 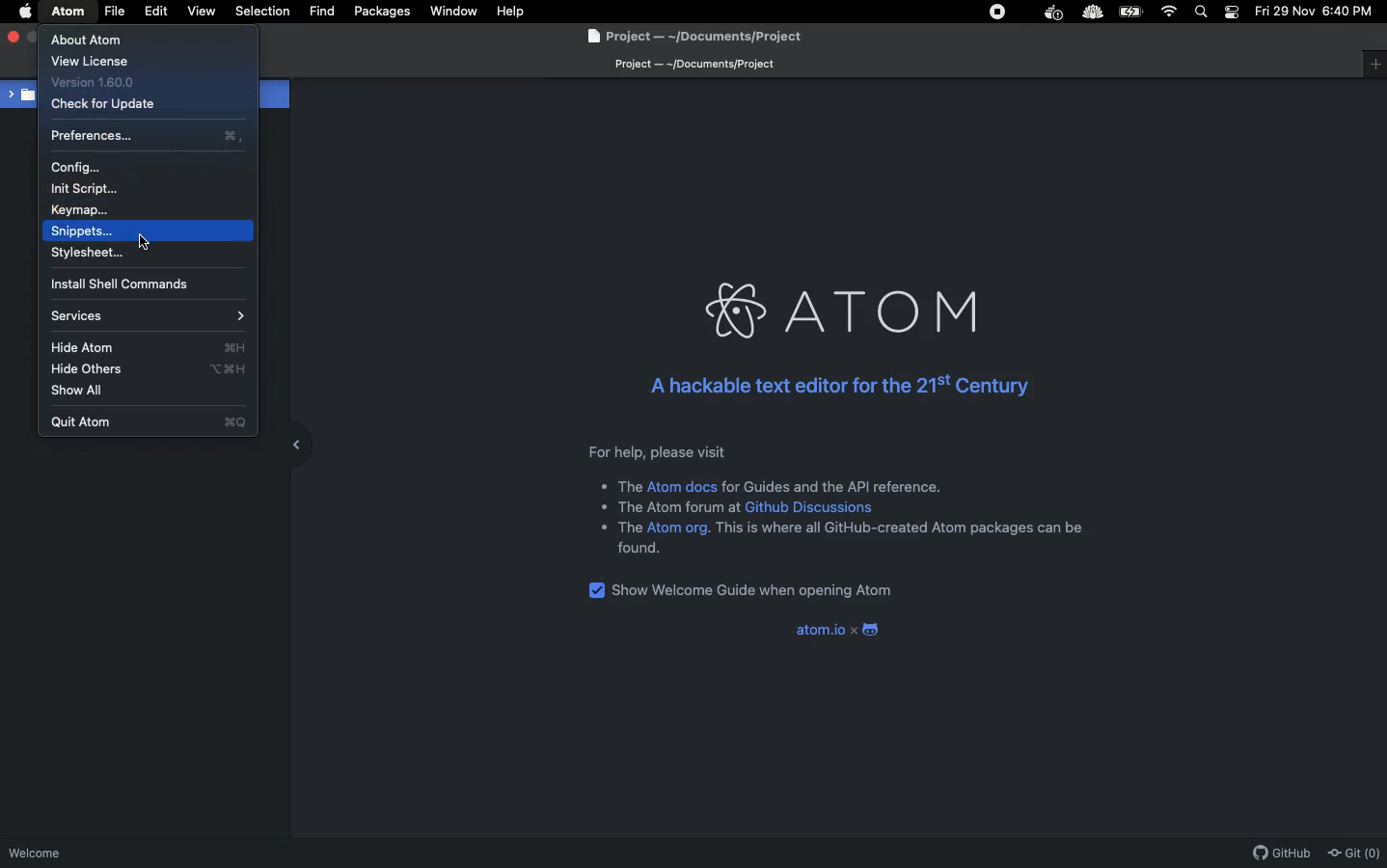 I want to click on Git, so click(x=1355, y=853).